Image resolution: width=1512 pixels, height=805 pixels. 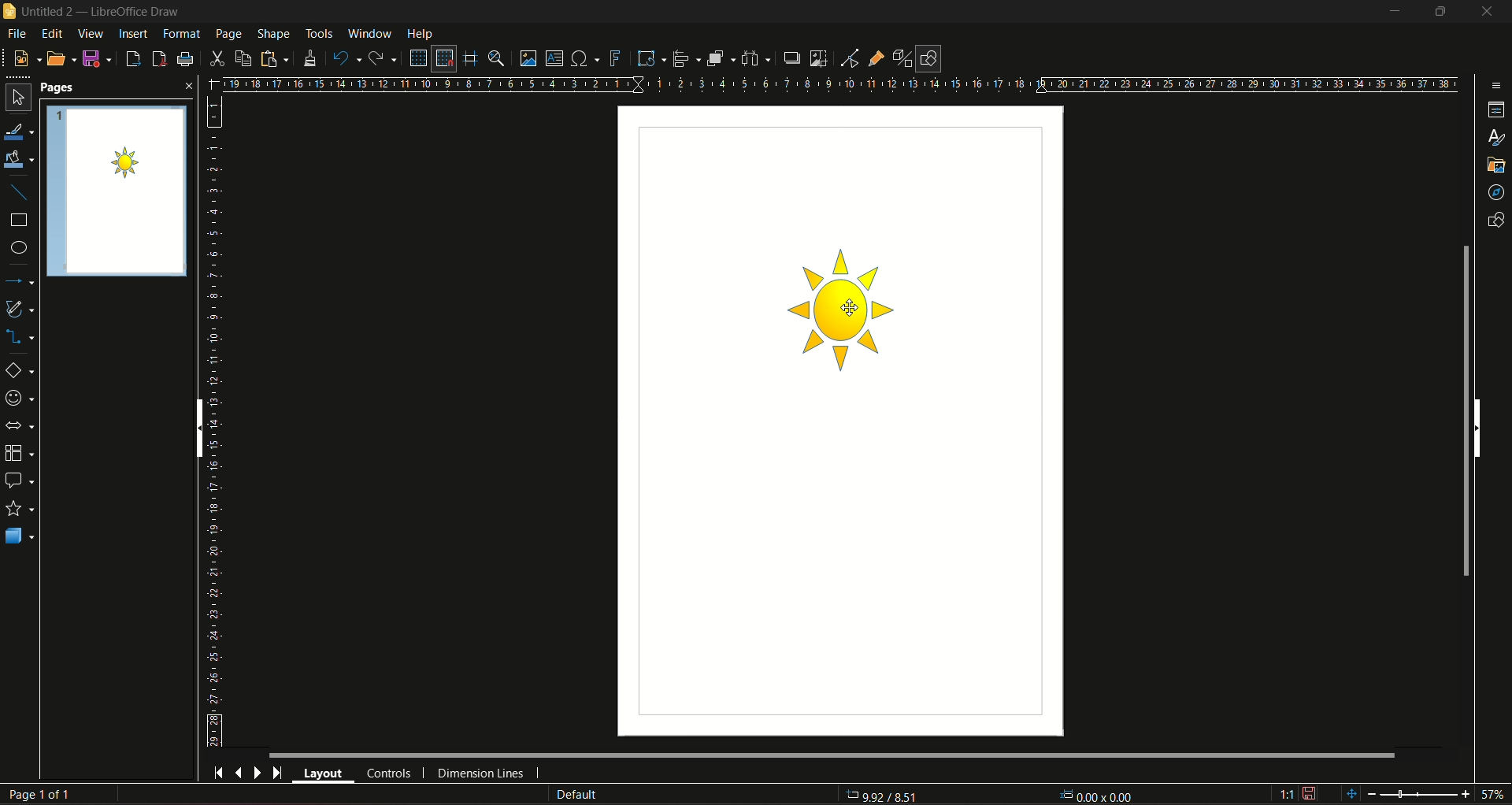 What do you see at coordinates (220, 773) in the screenshot?
I see `first` at bounding box center [220, 773].